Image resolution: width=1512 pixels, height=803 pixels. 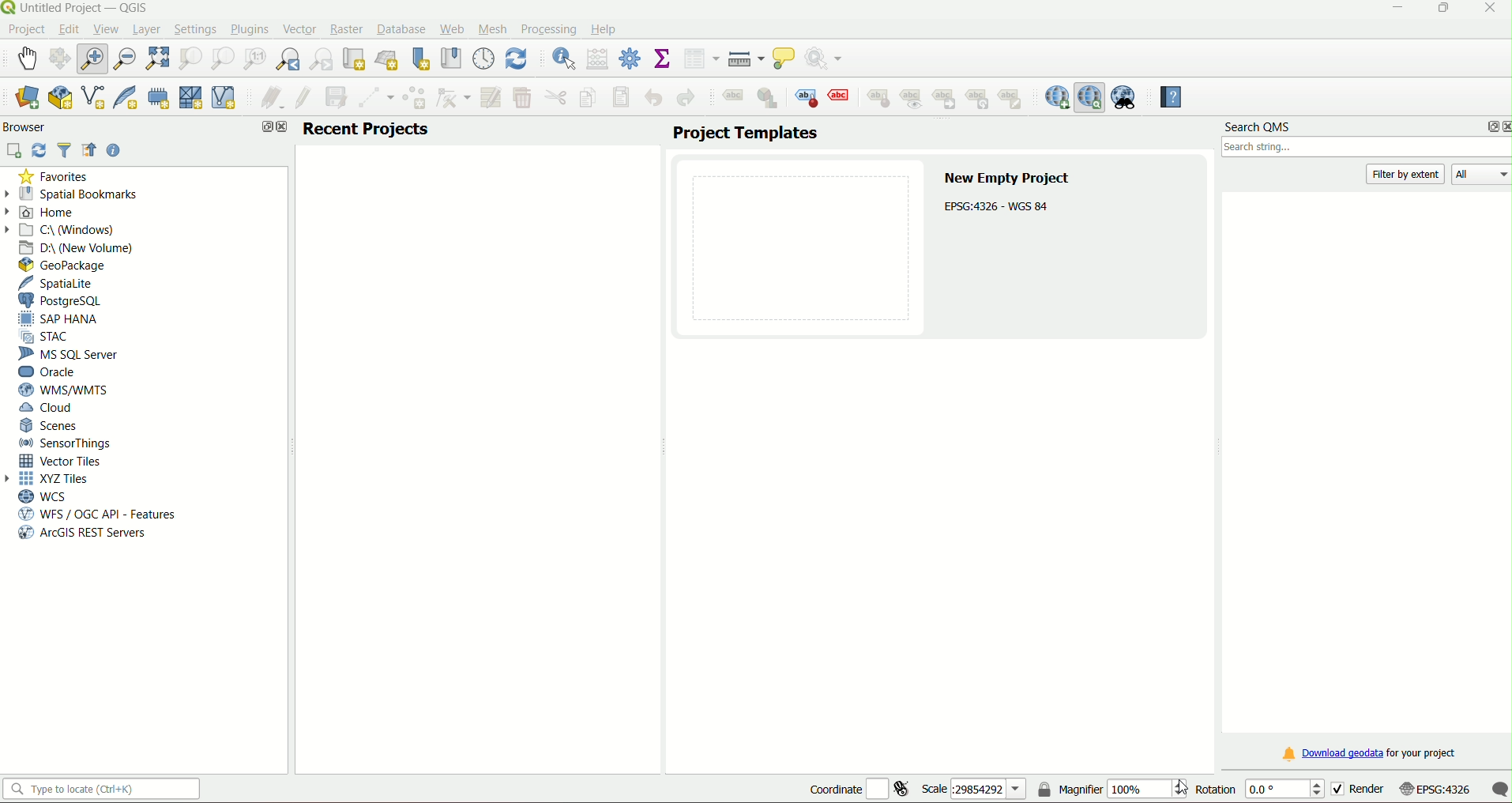 What do you see at coordinates (227, 97) in the screenshot?
I see `new virtual layer` at bounding box center [227, 97].